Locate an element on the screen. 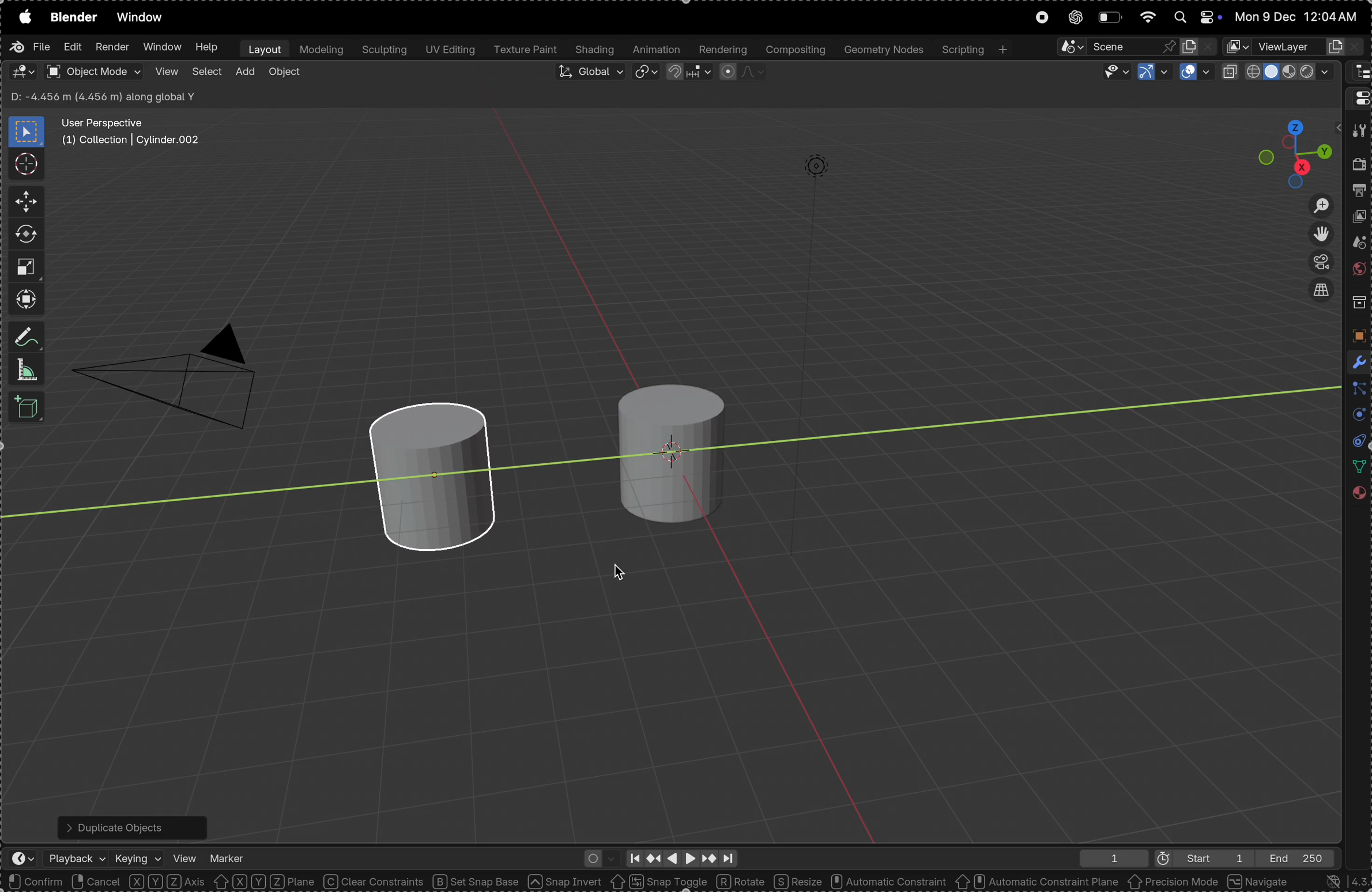 The width and height of the screenshot is (1372, 892). worls is located at coordinates (1358, 271).